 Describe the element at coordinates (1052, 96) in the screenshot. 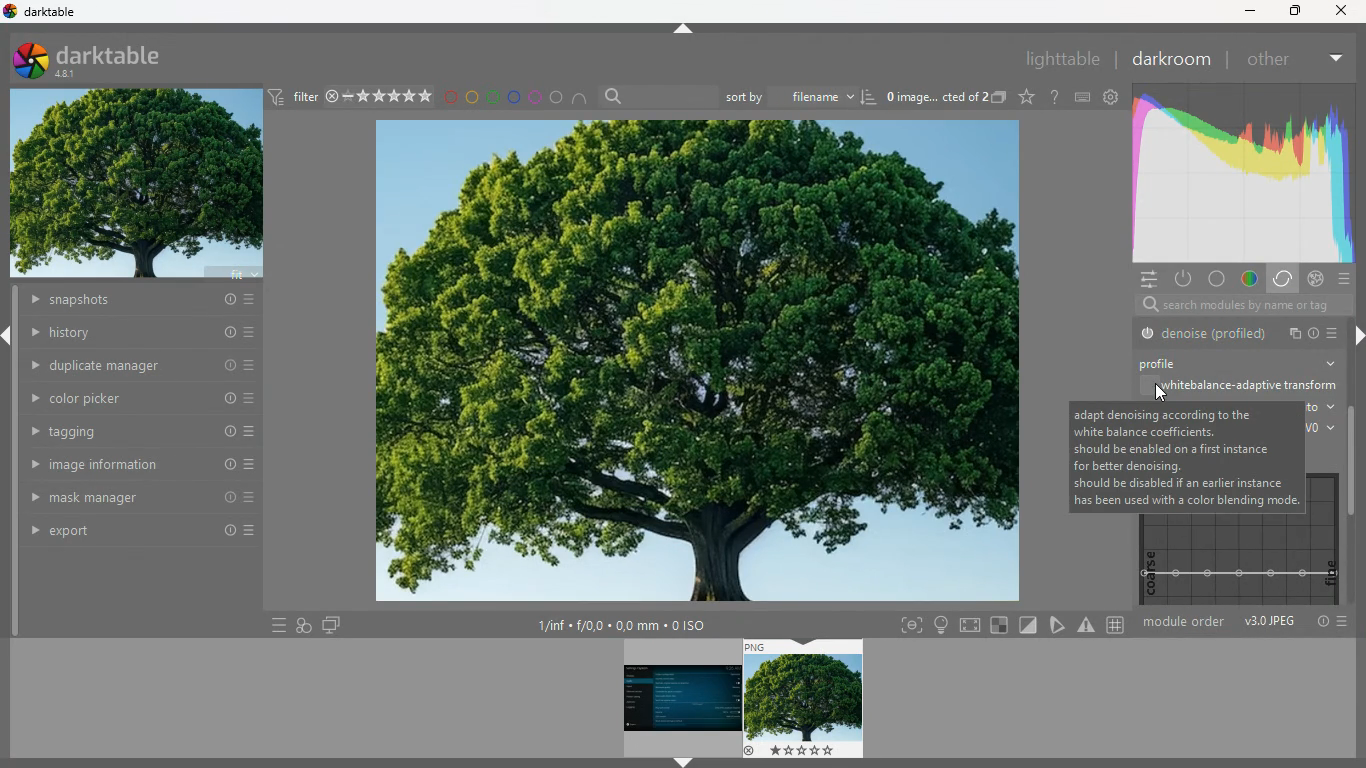

I see `doubt` at that location.